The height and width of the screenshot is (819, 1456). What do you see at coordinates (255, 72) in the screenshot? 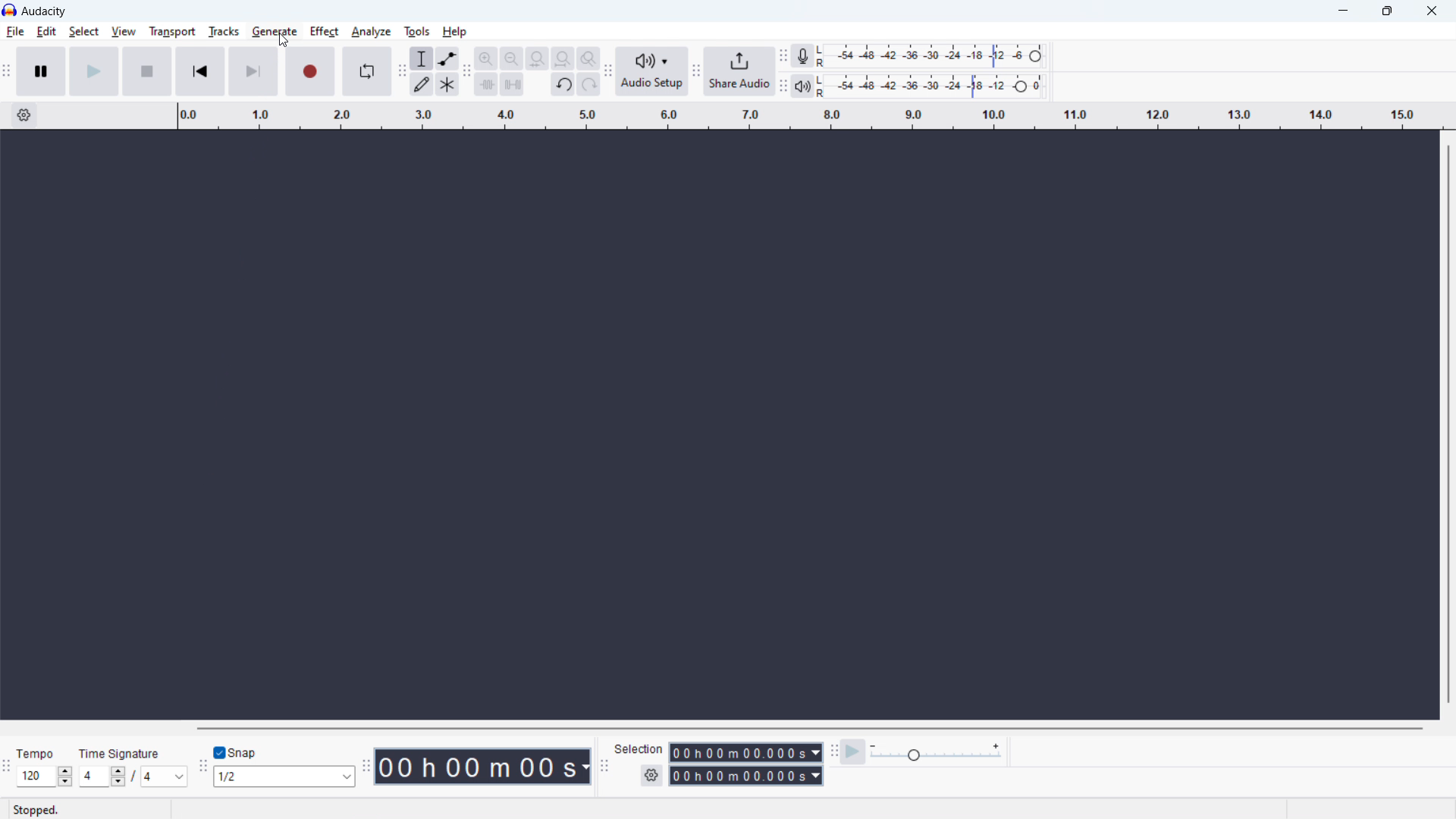
I see `skip to last` at bounding box center [255, 72].